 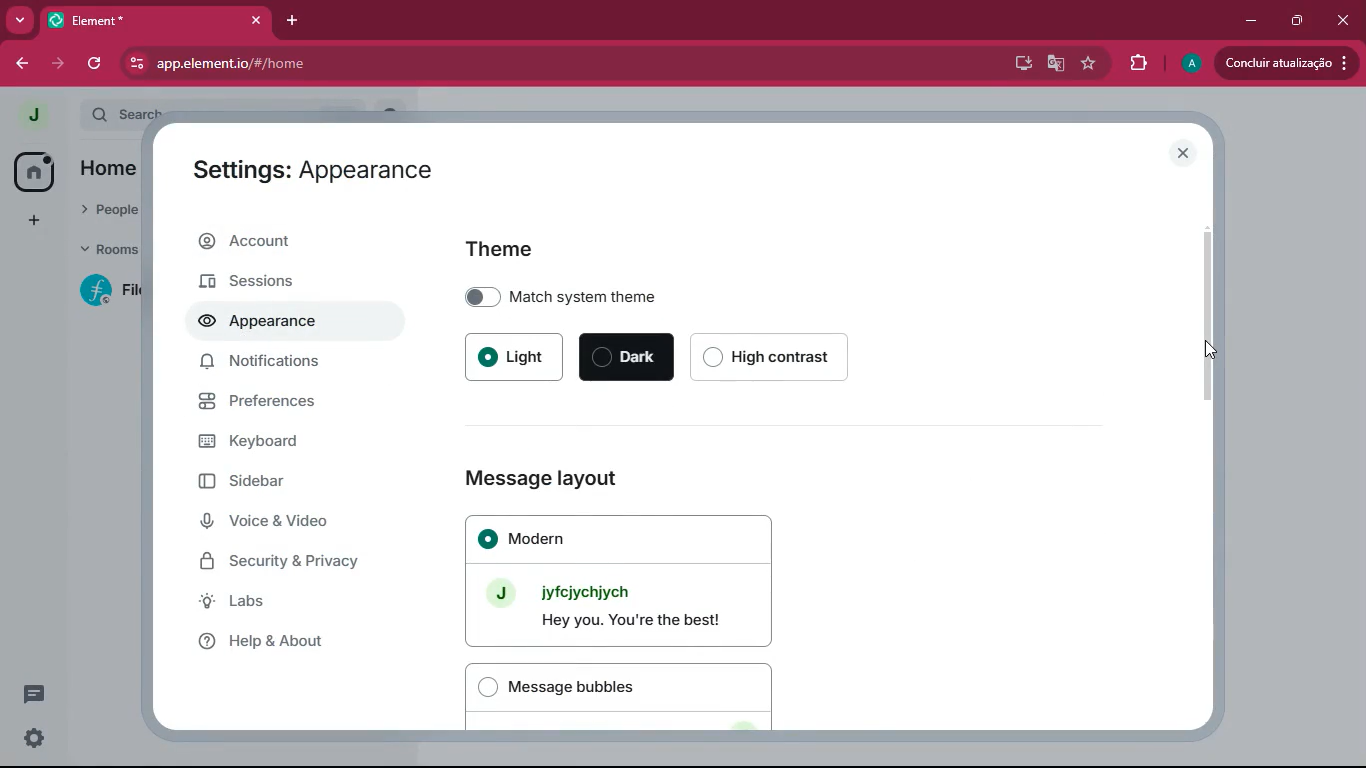 What do you see at coordinates (34, 739) in the screenshot?
I see `settings` at bounding box center [34, 739].